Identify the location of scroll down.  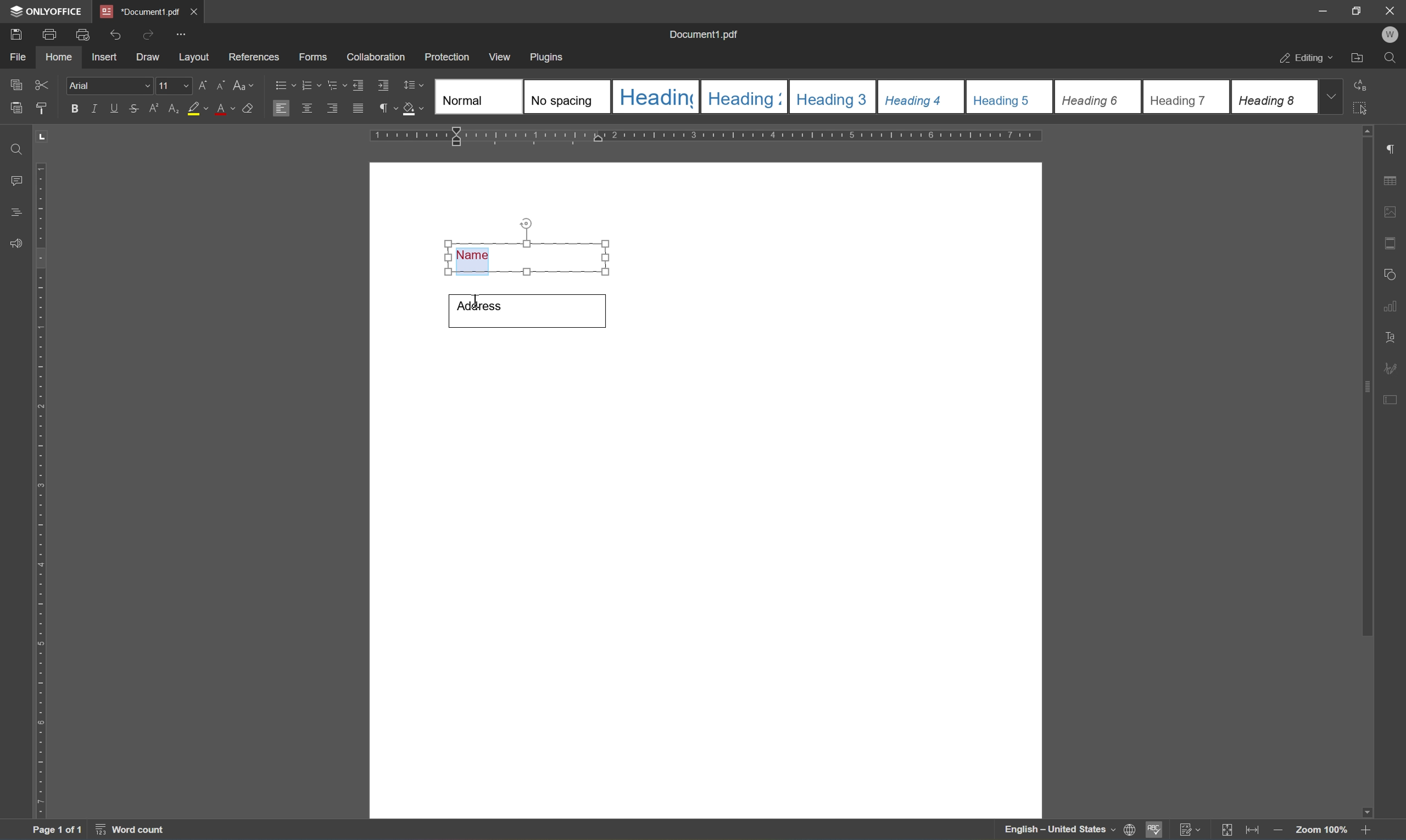
(1362, 809).